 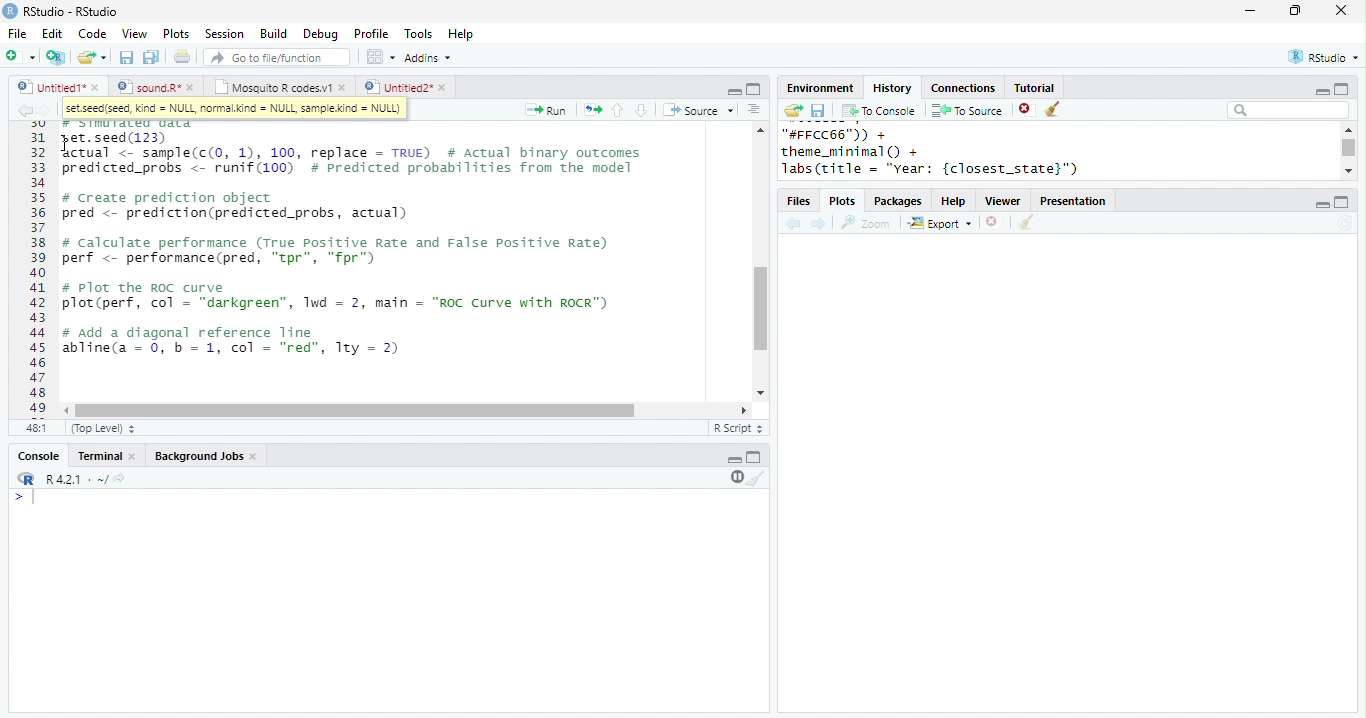 I want to click on close, so click(x=97, y=87).